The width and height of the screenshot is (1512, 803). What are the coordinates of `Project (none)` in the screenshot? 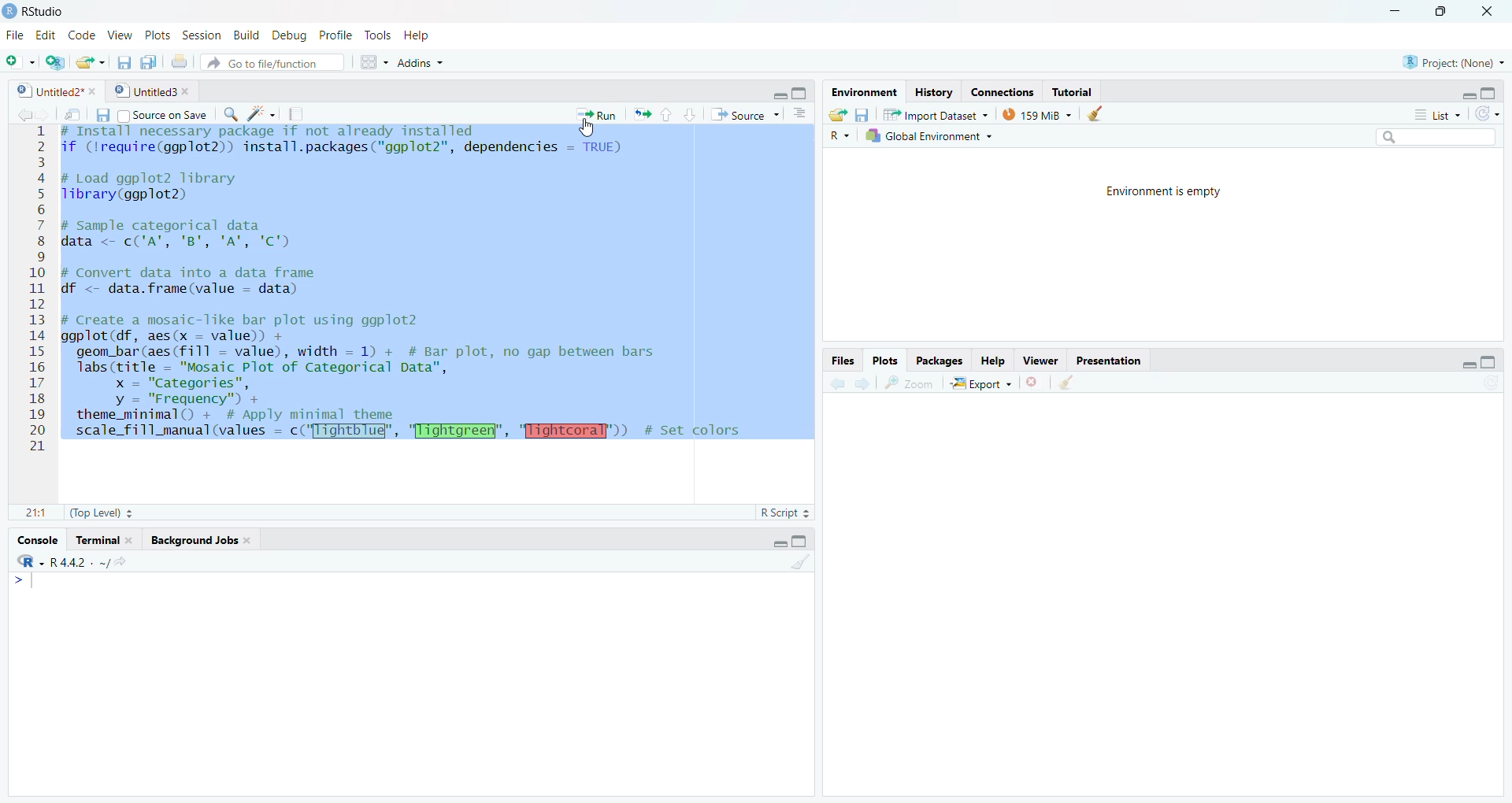 It's located at (1452, 61).